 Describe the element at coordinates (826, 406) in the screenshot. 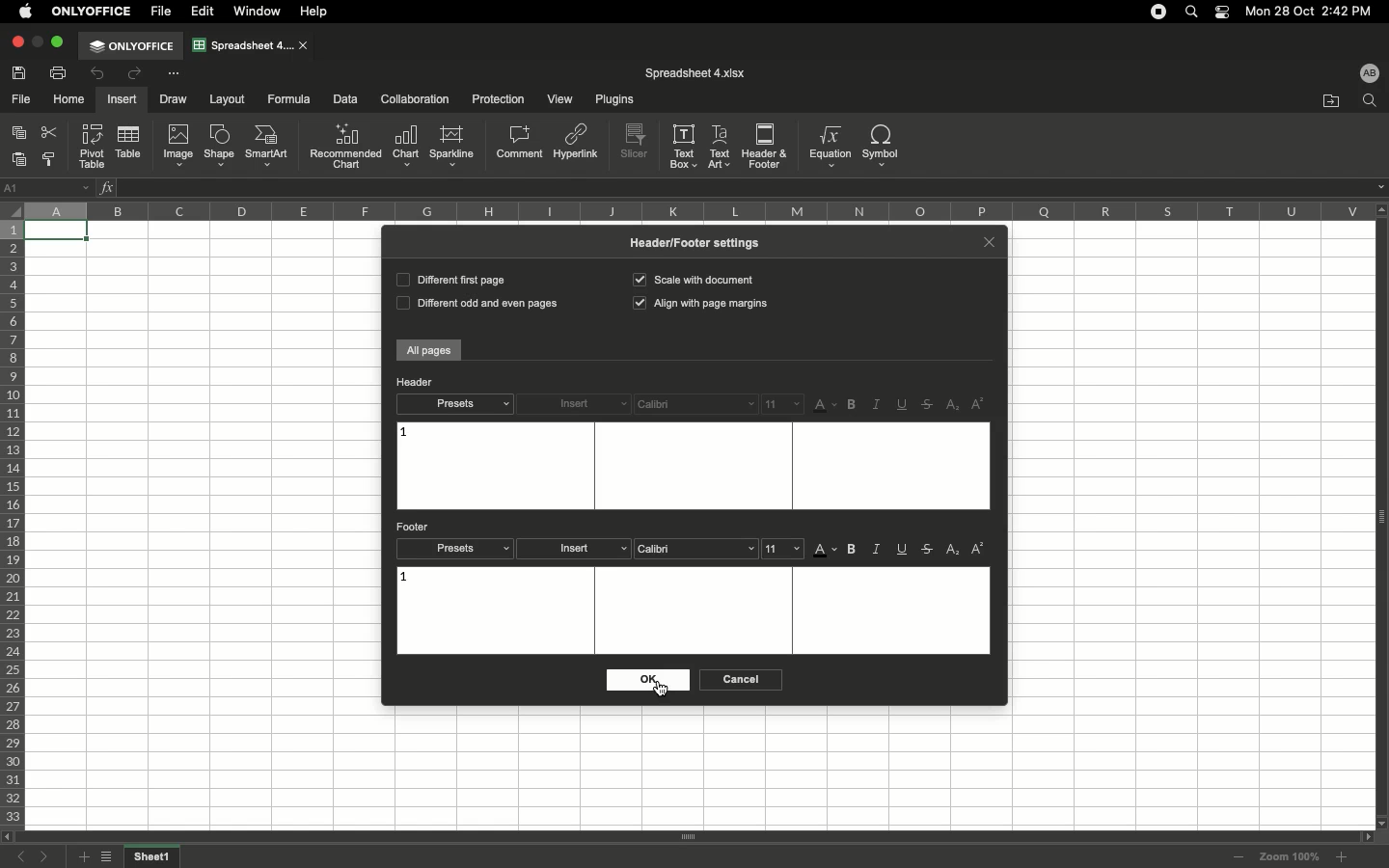

I see `Font color` at that location.